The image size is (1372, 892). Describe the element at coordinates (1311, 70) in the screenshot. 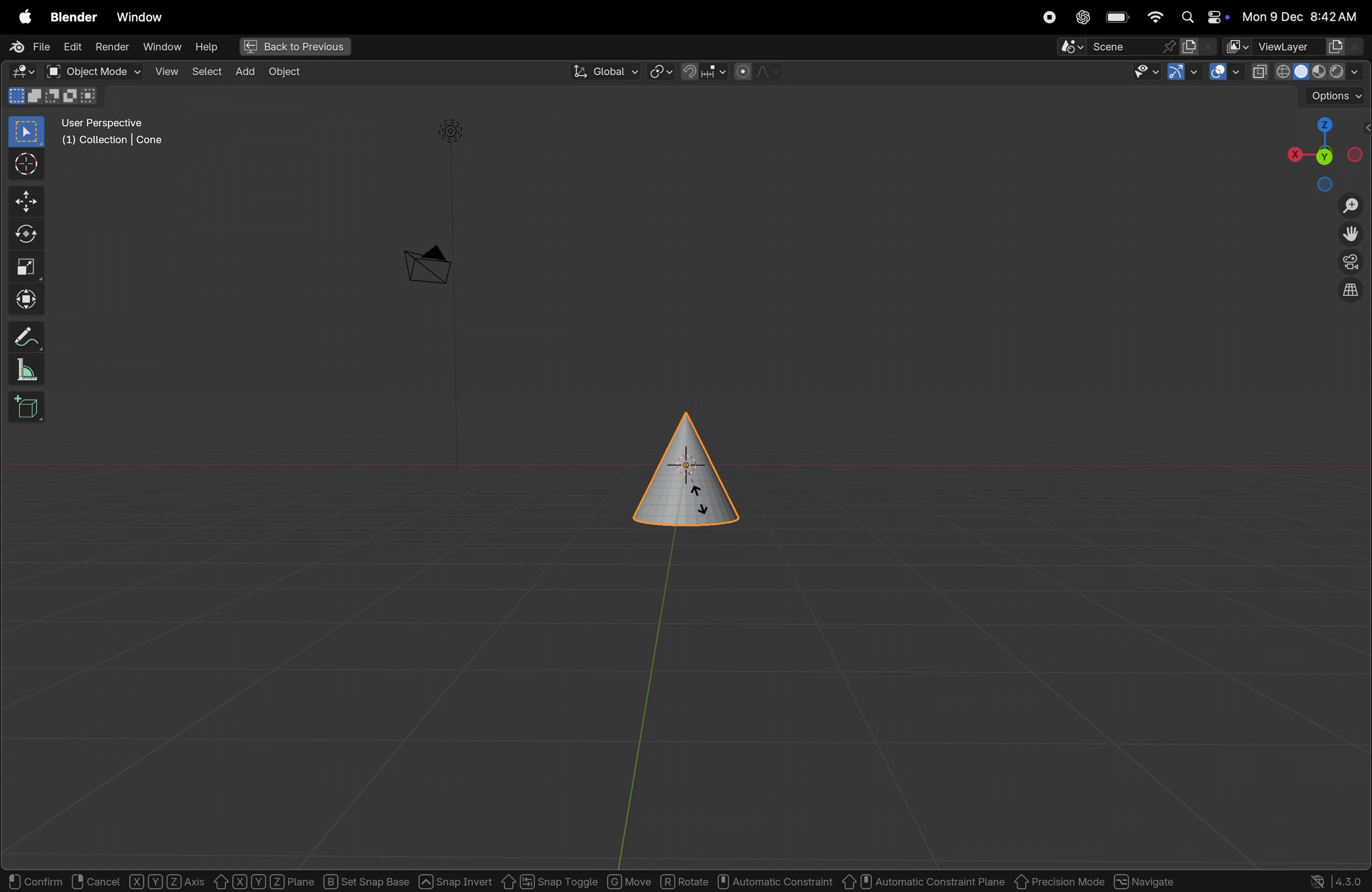

I see `view port shading` at that location.